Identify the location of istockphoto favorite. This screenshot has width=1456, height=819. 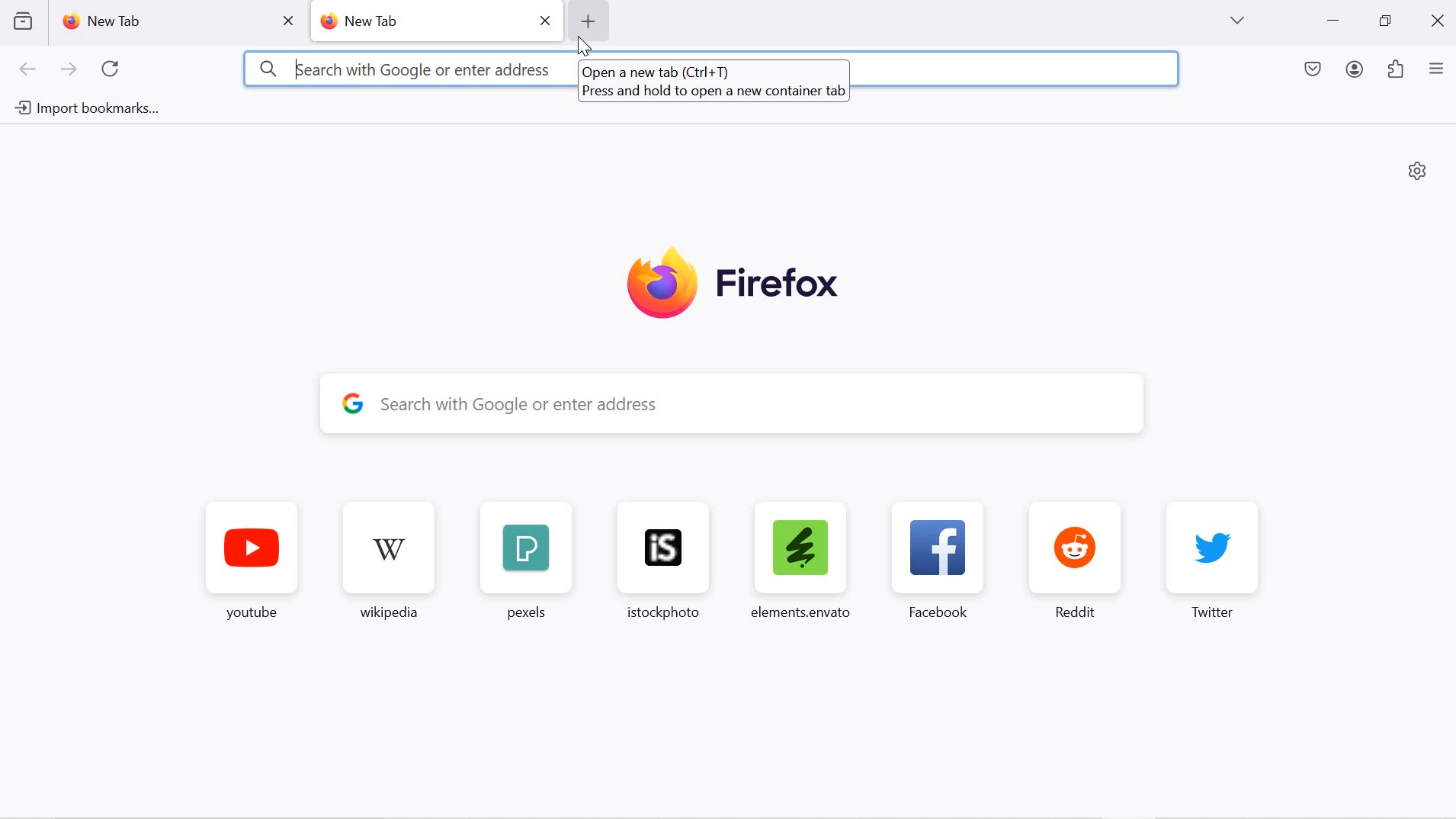
(656, 560).